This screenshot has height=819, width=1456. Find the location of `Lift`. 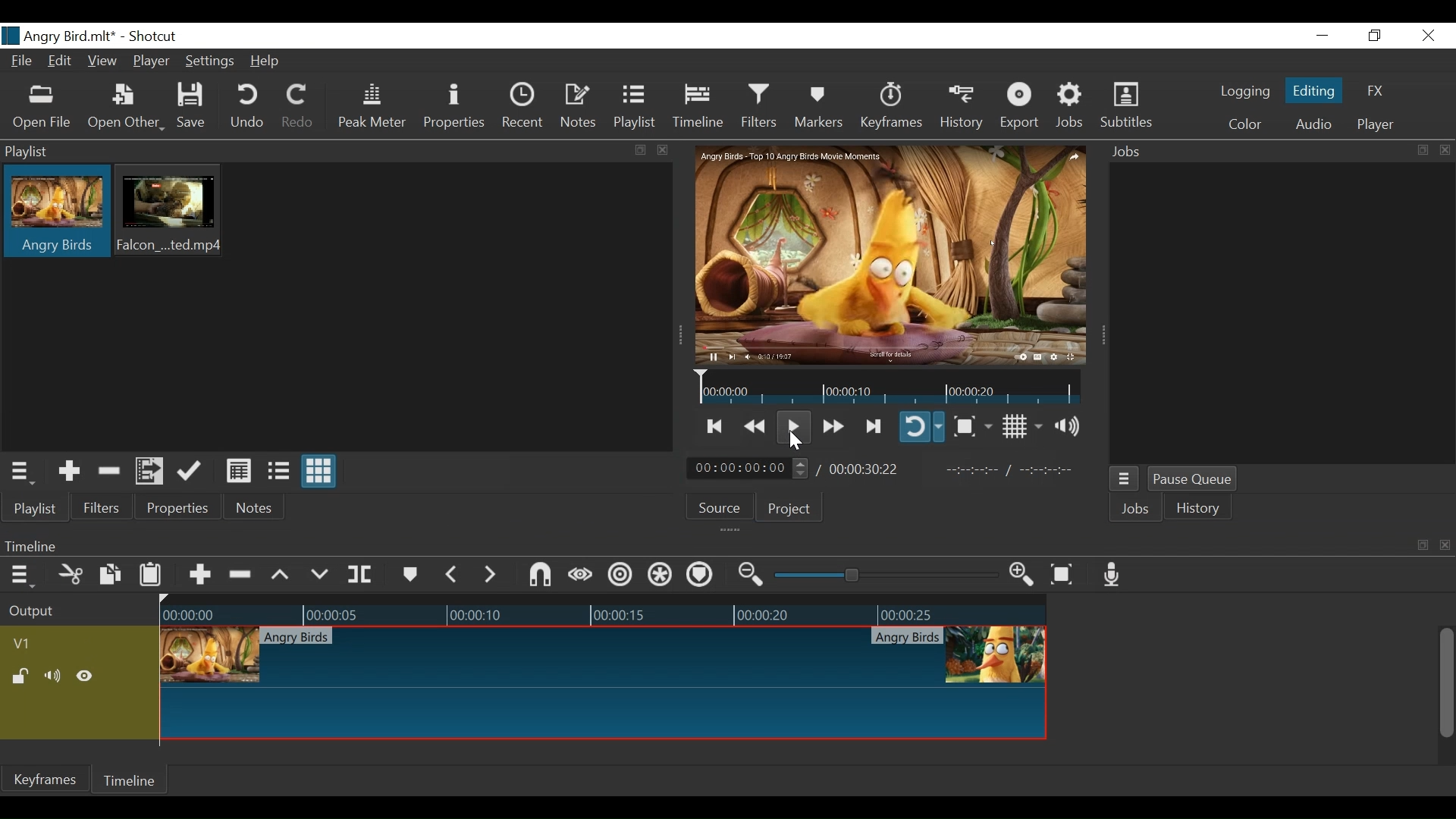

Lift is located at coordinates (281, 574).